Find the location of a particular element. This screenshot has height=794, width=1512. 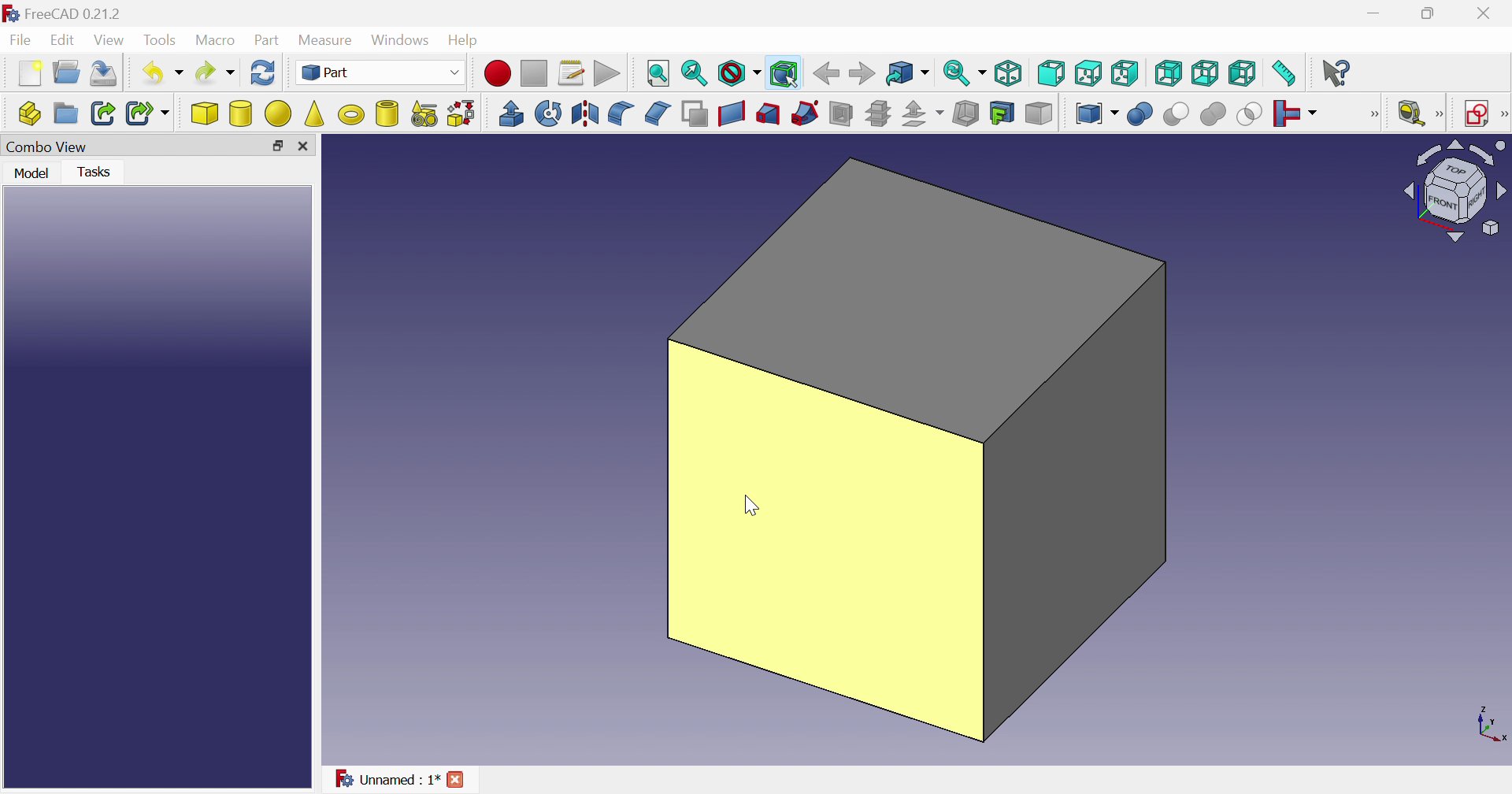

View is located at coordinates (112, 40).